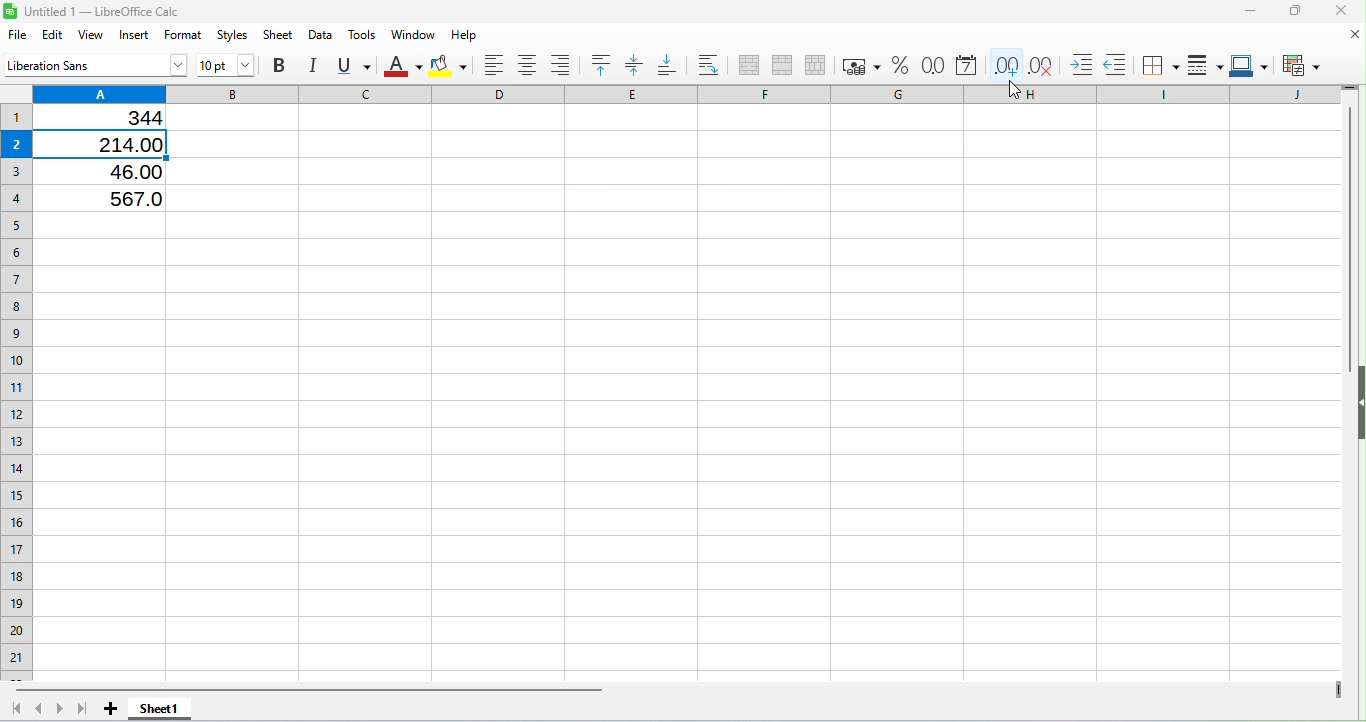  Describe the element at coordinates (461, 33) in the screenshot. I see `Help` at that location.